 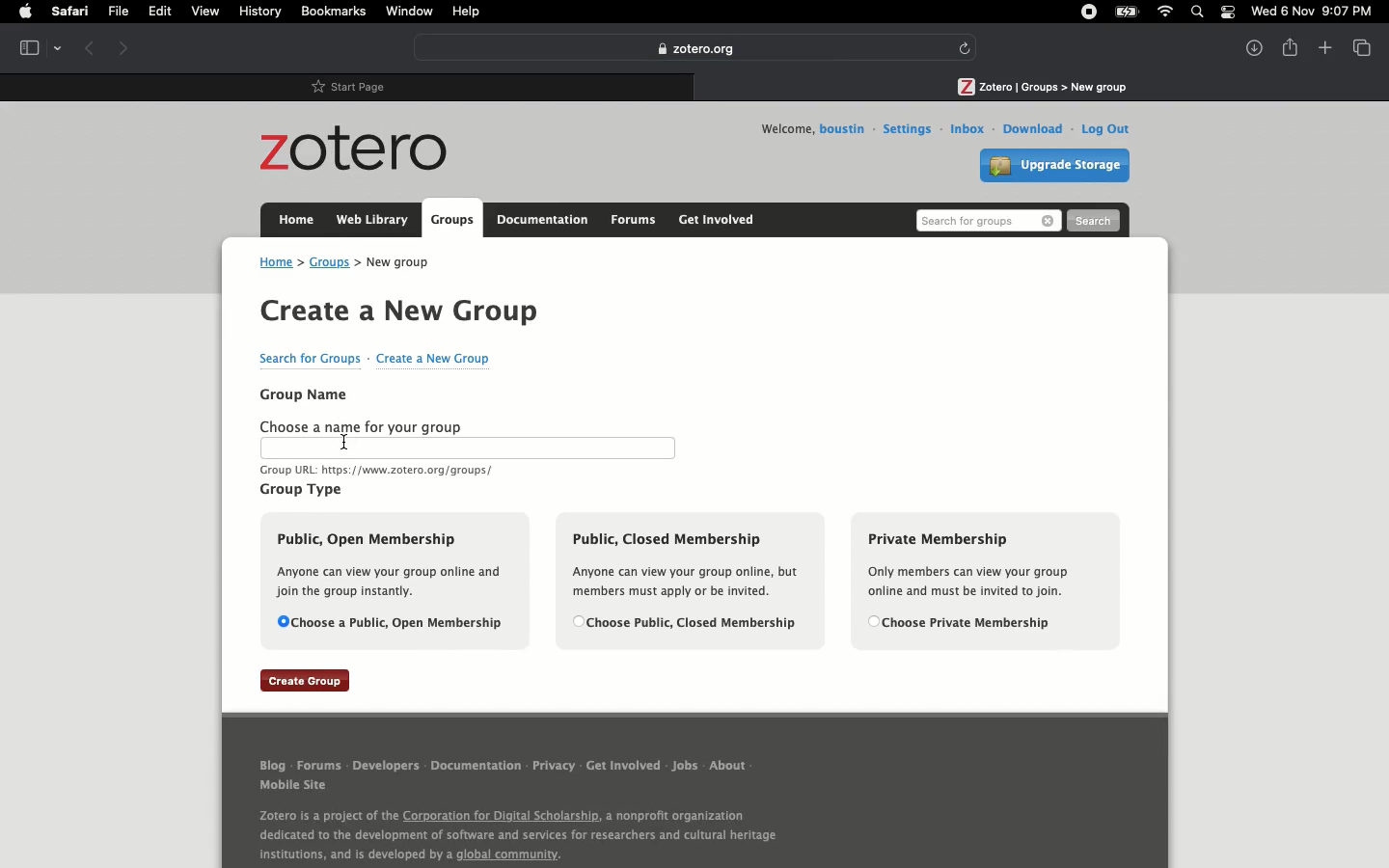 I want to click on View, so click(x=208, y=13).